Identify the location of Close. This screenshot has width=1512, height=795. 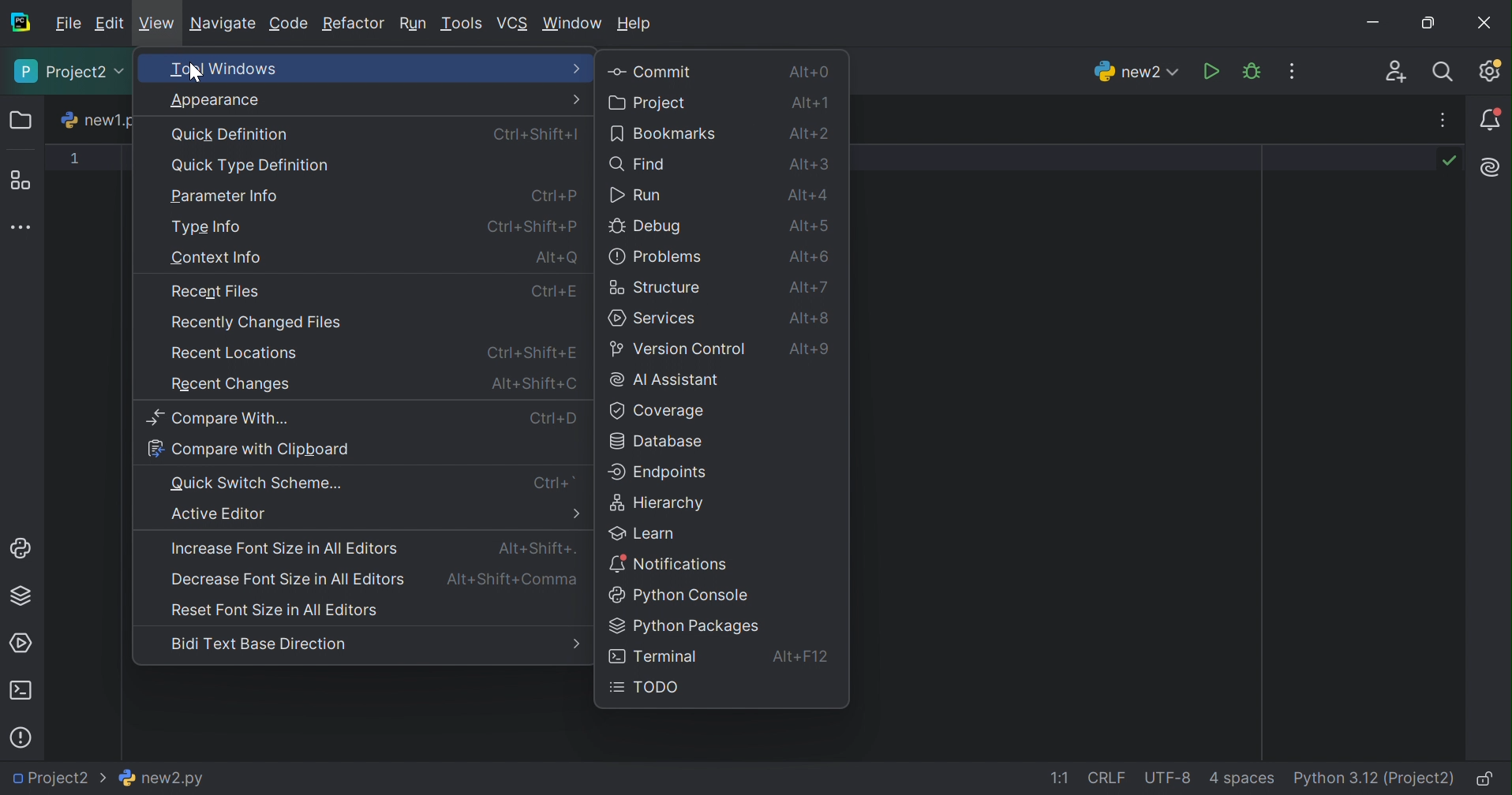
(1487, 24).